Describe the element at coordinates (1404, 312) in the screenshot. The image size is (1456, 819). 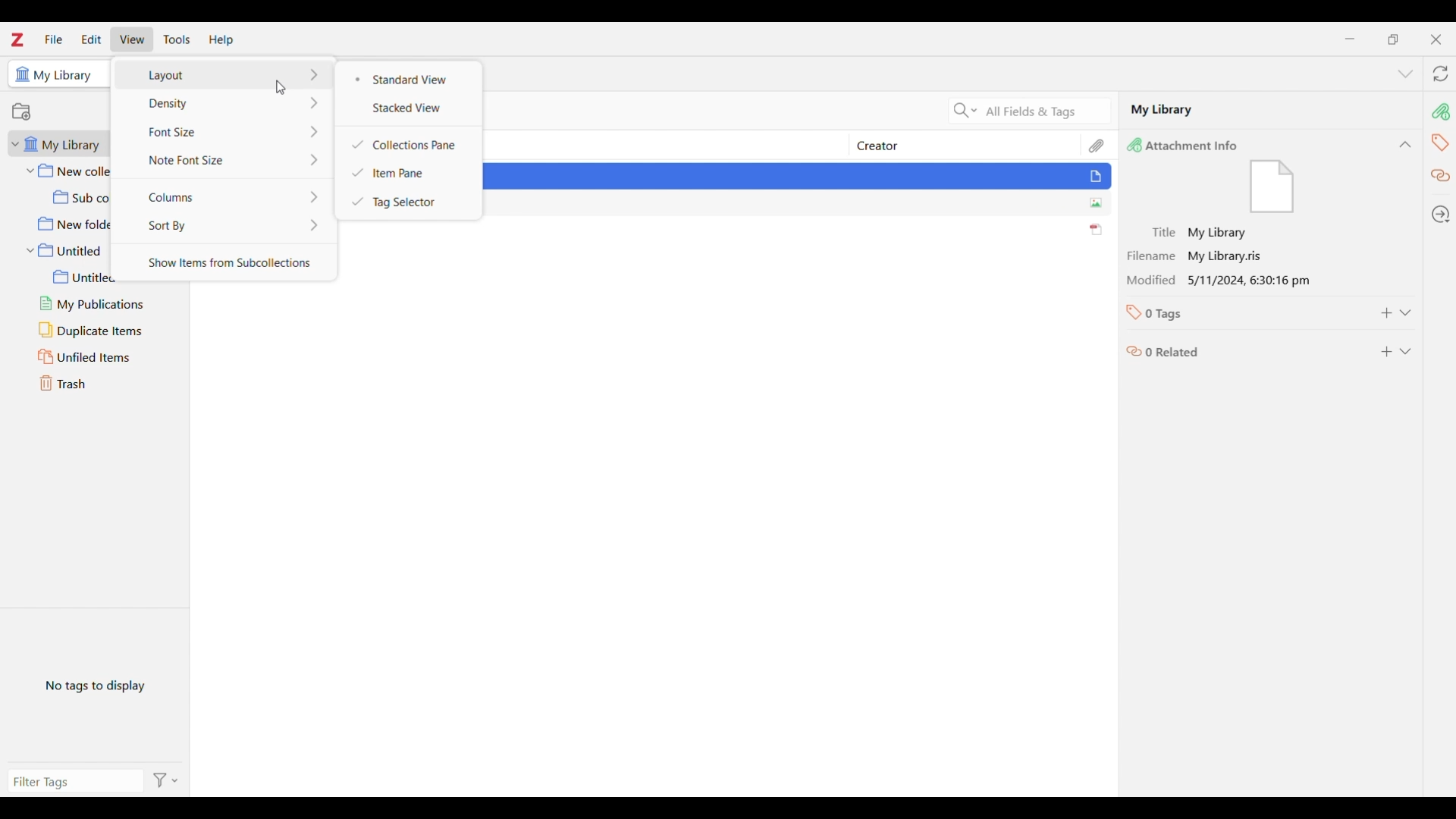
I see `Expand tags` at that location.